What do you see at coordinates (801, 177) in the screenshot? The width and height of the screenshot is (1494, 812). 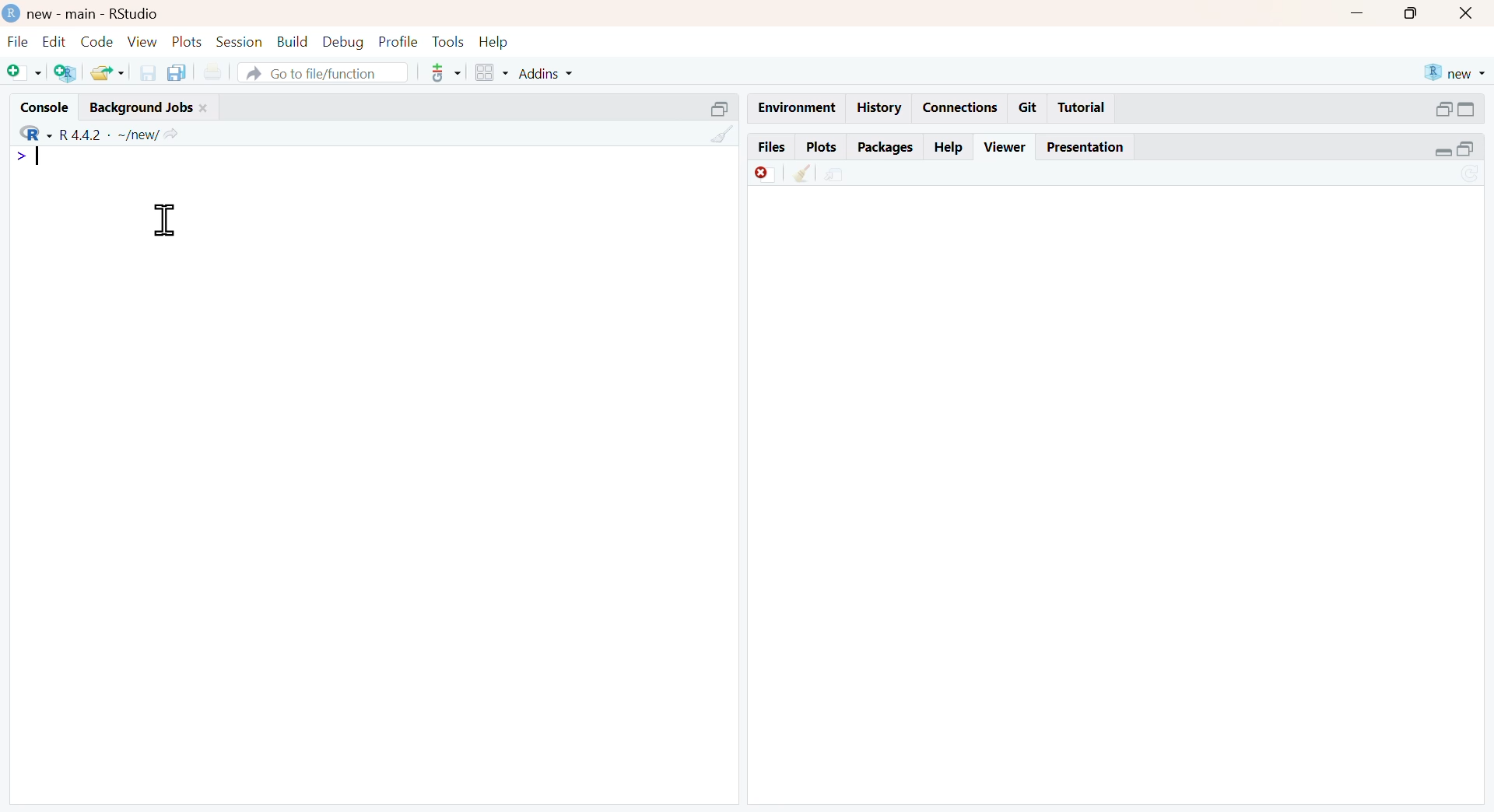 I see `Remove all viewer item` at bounding box center [801, 177].